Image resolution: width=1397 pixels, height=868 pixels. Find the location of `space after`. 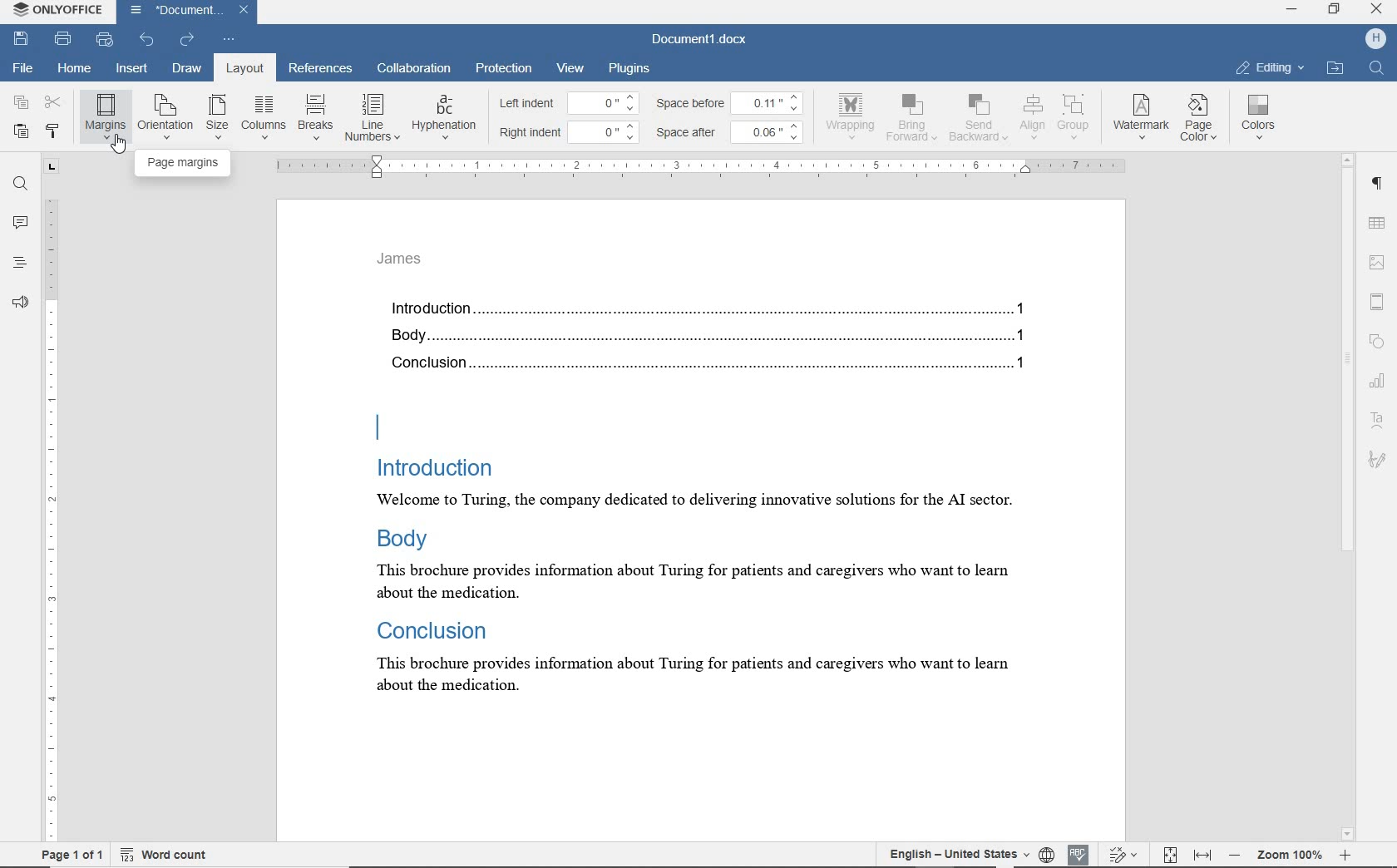

space after is located at coordinates (690, 133).